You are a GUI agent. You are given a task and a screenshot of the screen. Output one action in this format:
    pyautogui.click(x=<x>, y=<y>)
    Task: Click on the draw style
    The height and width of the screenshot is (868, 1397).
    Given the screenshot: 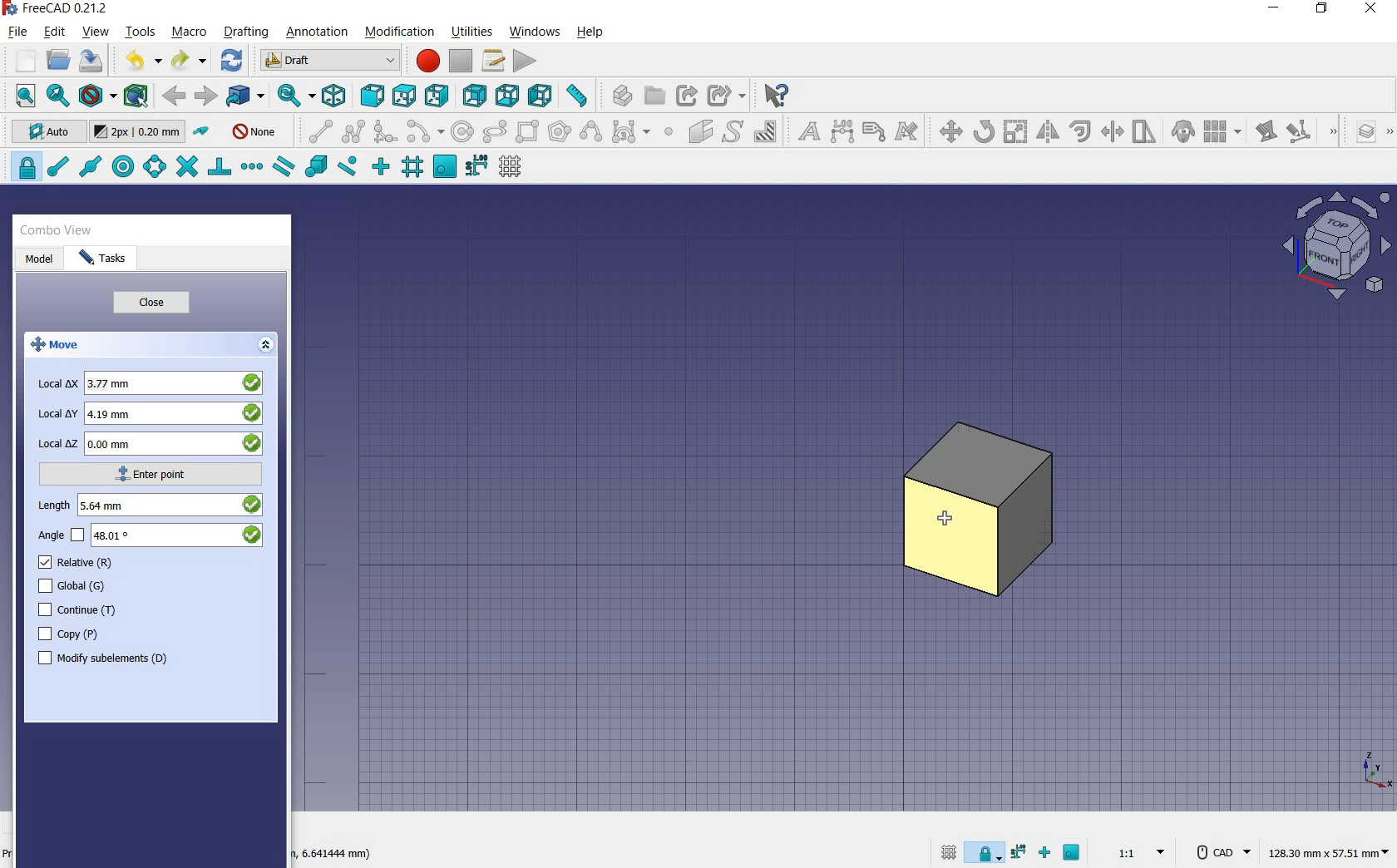 What is the action you would take?
    pyautogui.click(x=95, y=95)
    